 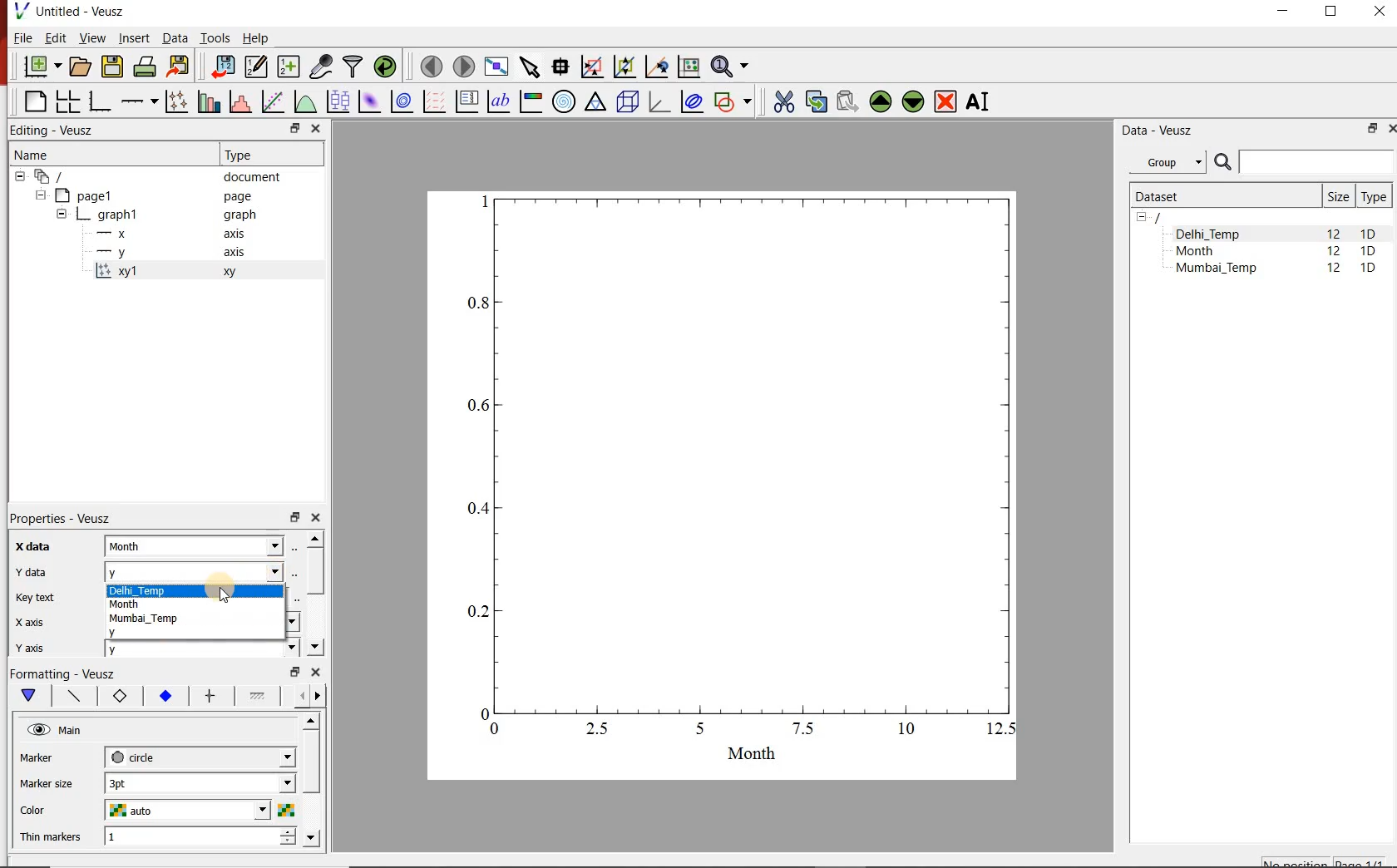 What do you see at coordinates (180, 634) in the screenshot?
I see `y` at bounding box center [180, 634].